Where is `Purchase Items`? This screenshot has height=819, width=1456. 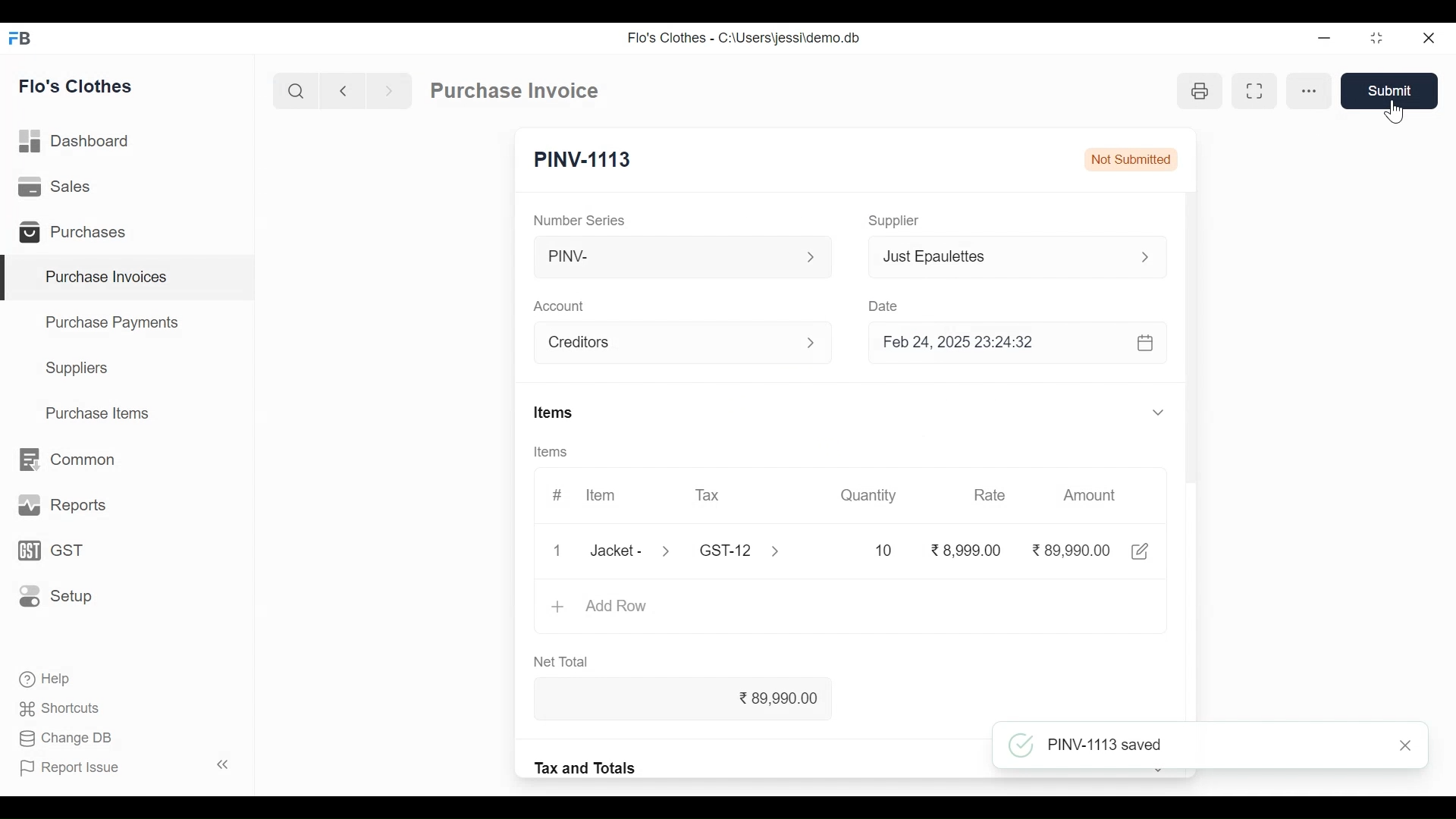 Purchase Items is located at coordinates (101, 413).